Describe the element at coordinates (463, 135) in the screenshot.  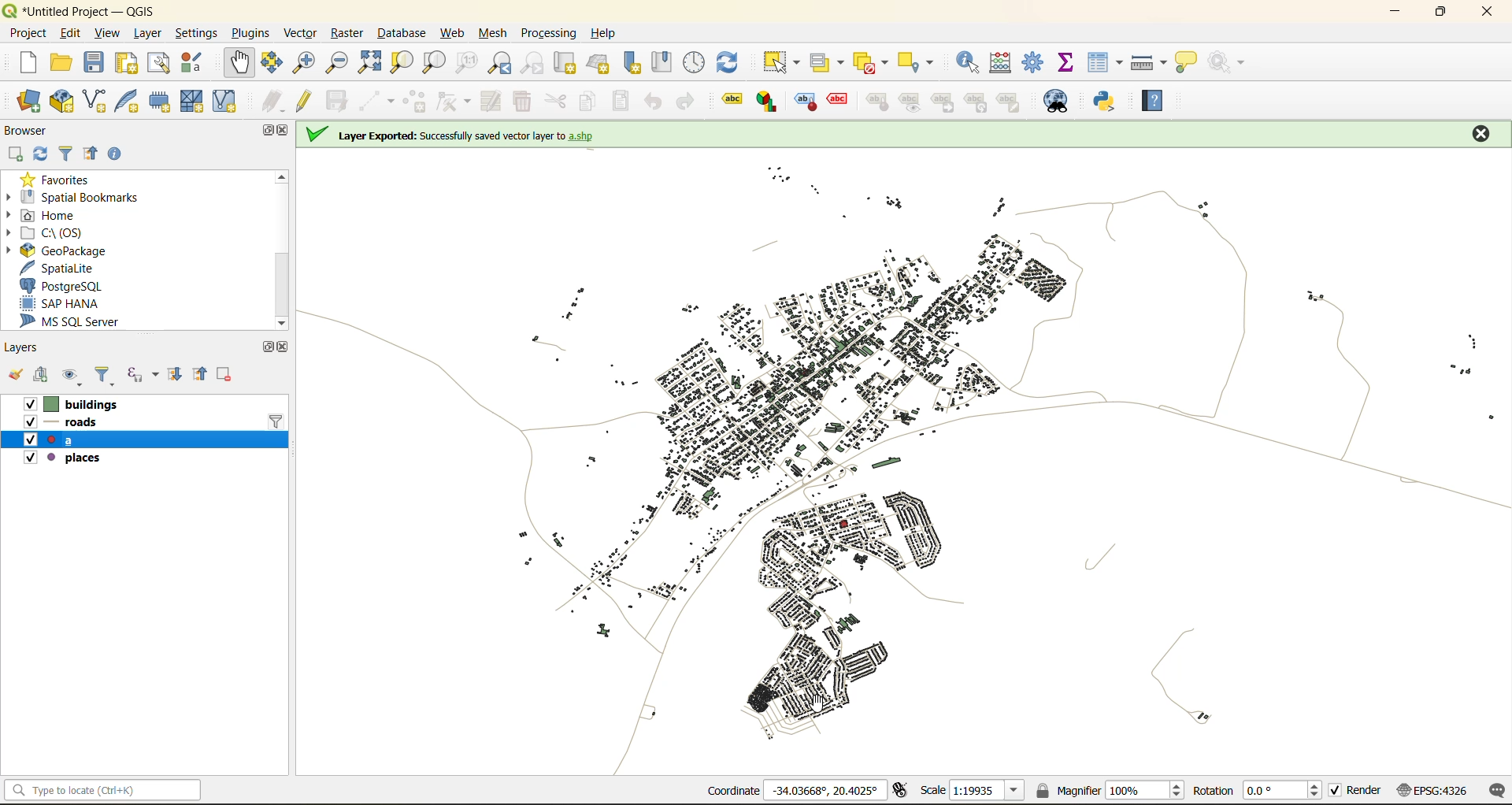
I see `on screen information` at that location.